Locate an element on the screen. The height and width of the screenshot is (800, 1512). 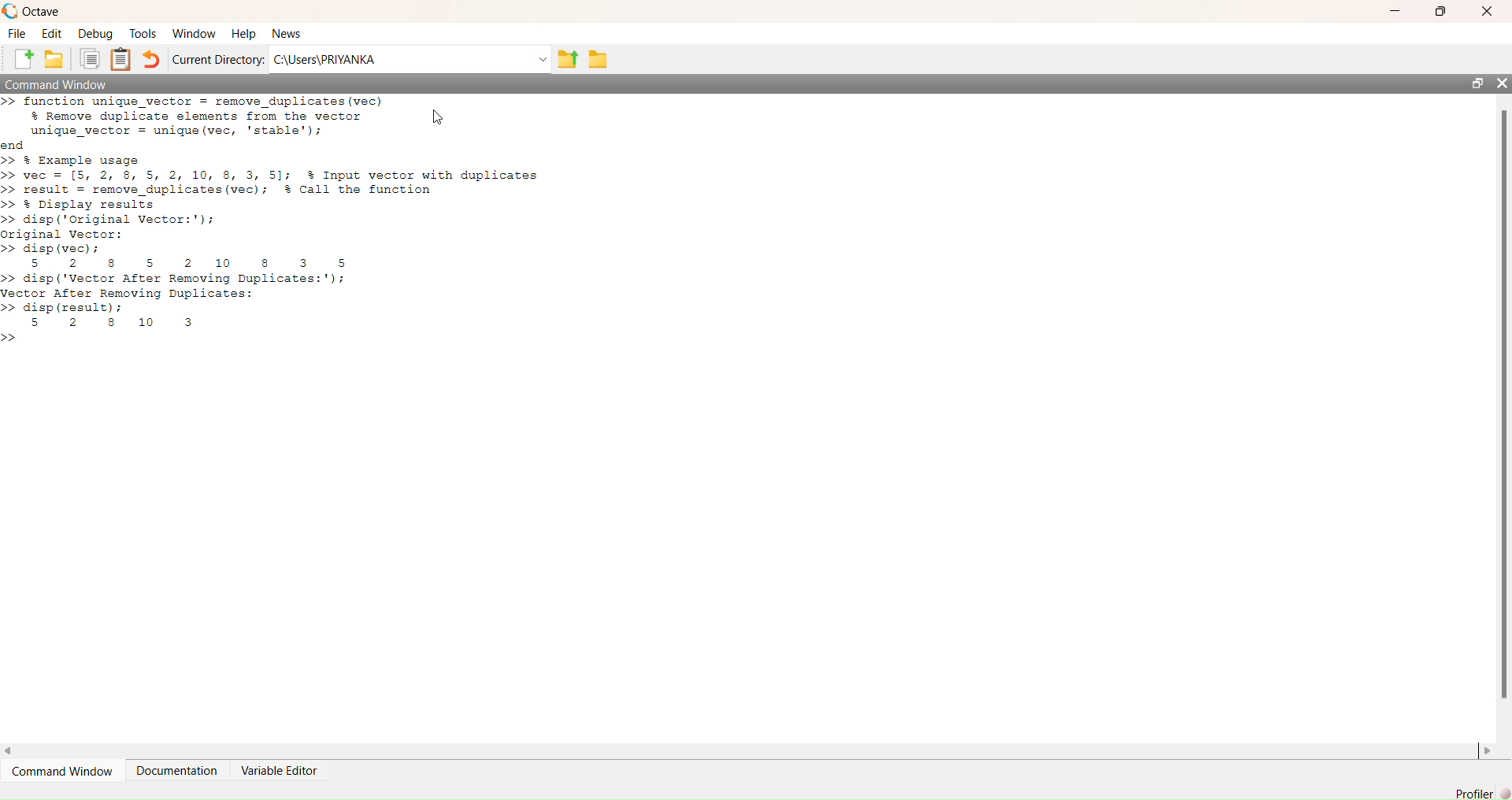
close is located at coordinates (1501, 83).